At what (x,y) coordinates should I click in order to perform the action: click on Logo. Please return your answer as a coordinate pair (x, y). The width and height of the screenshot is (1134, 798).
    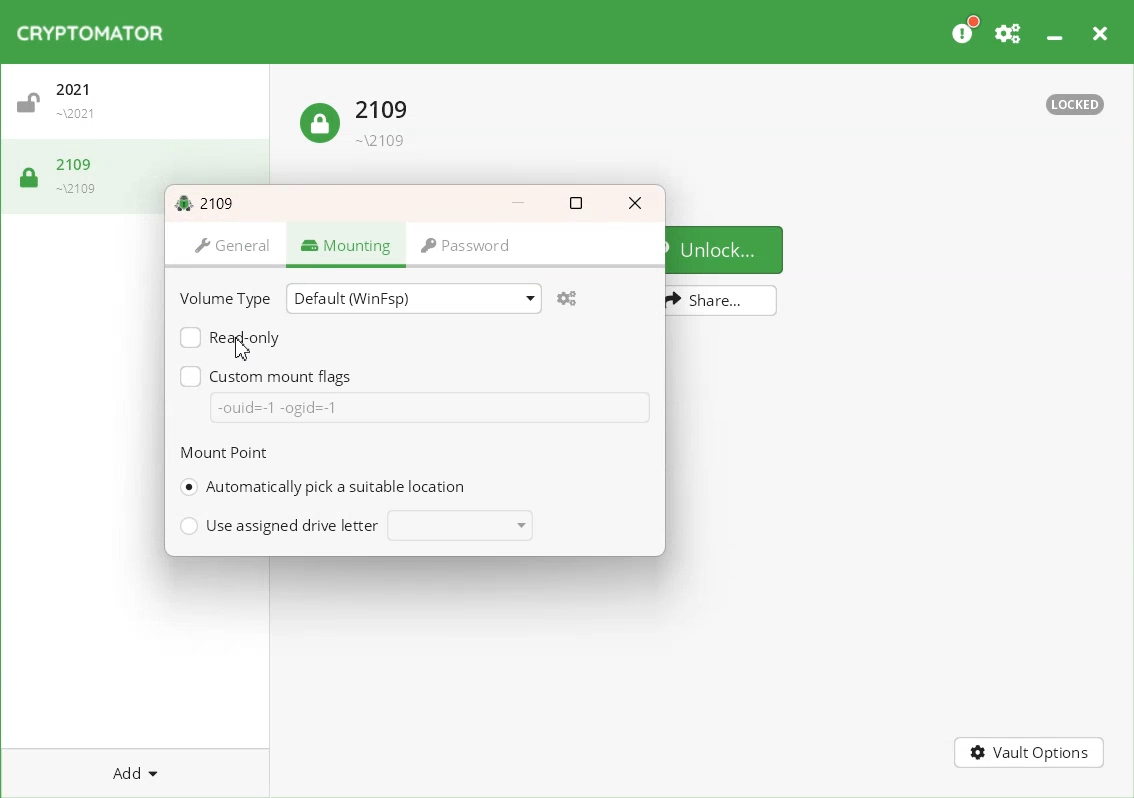
    Looking at the image, I should click on (93, 32).